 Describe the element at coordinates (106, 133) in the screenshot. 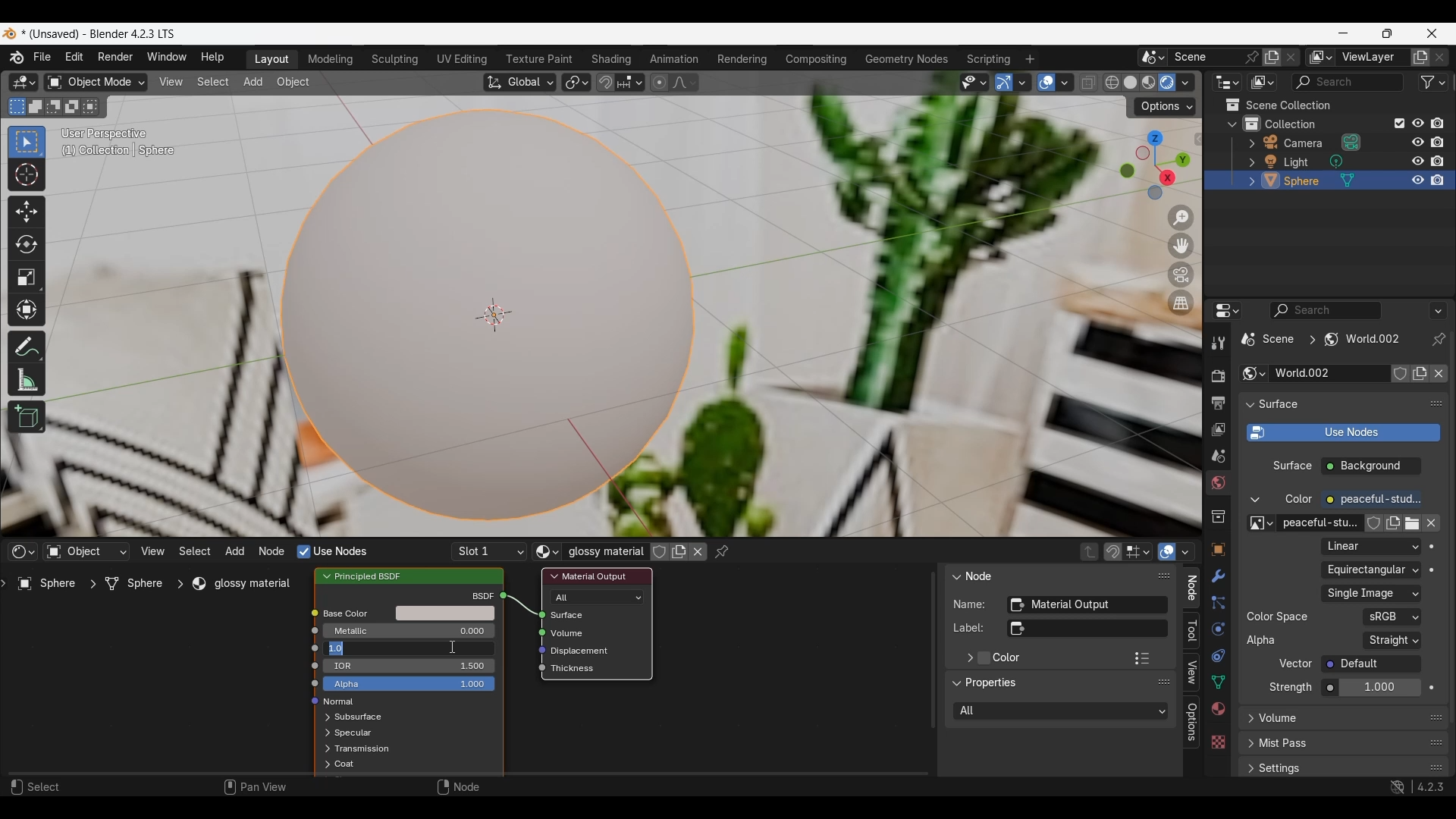

I see `User perspective` at that location.